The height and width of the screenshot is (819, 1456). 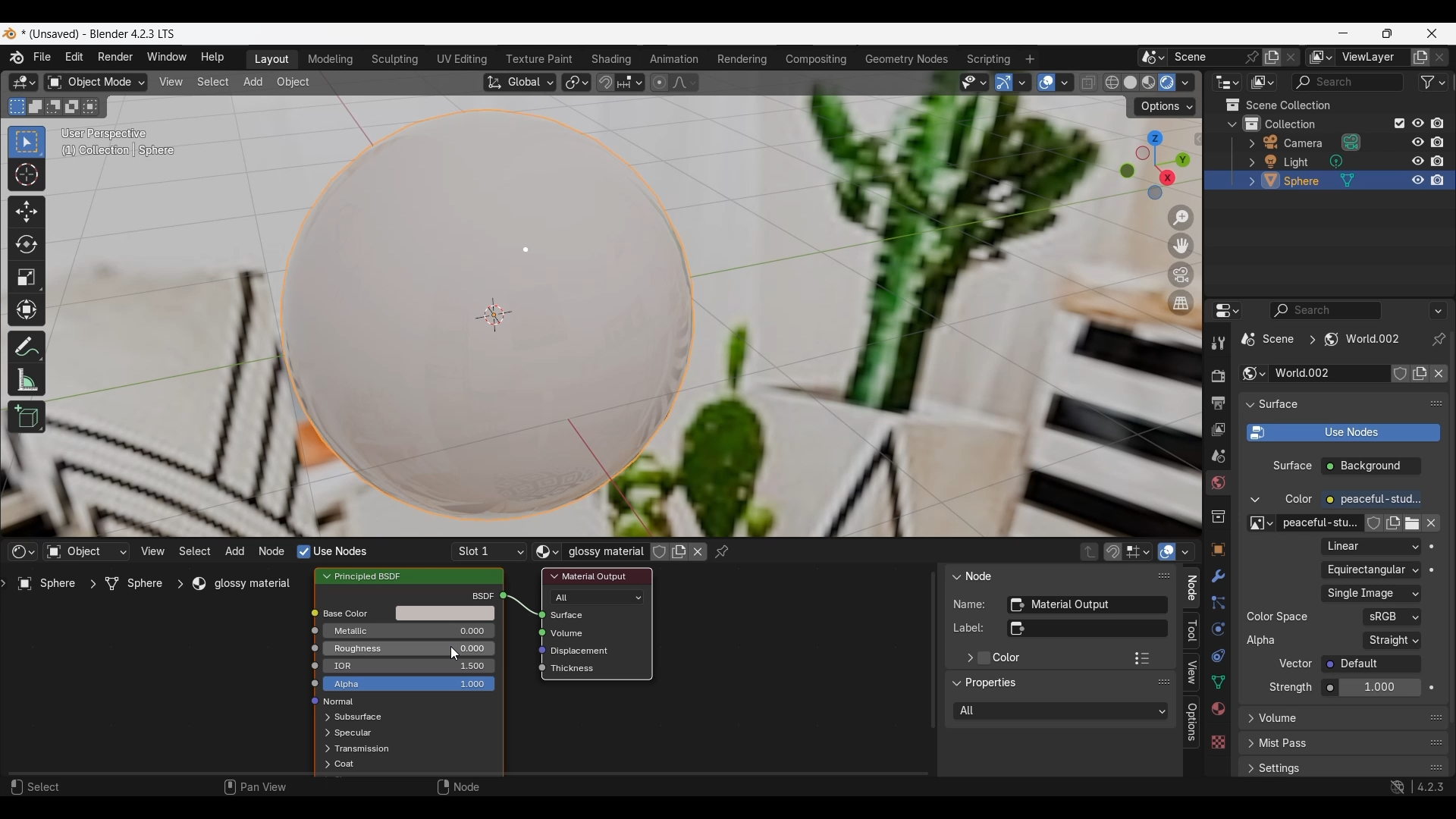 What do you see at coordinates (1439, 339) in the screenshot?
I see `Toggle pin id` at bounding box center [1439, 339].